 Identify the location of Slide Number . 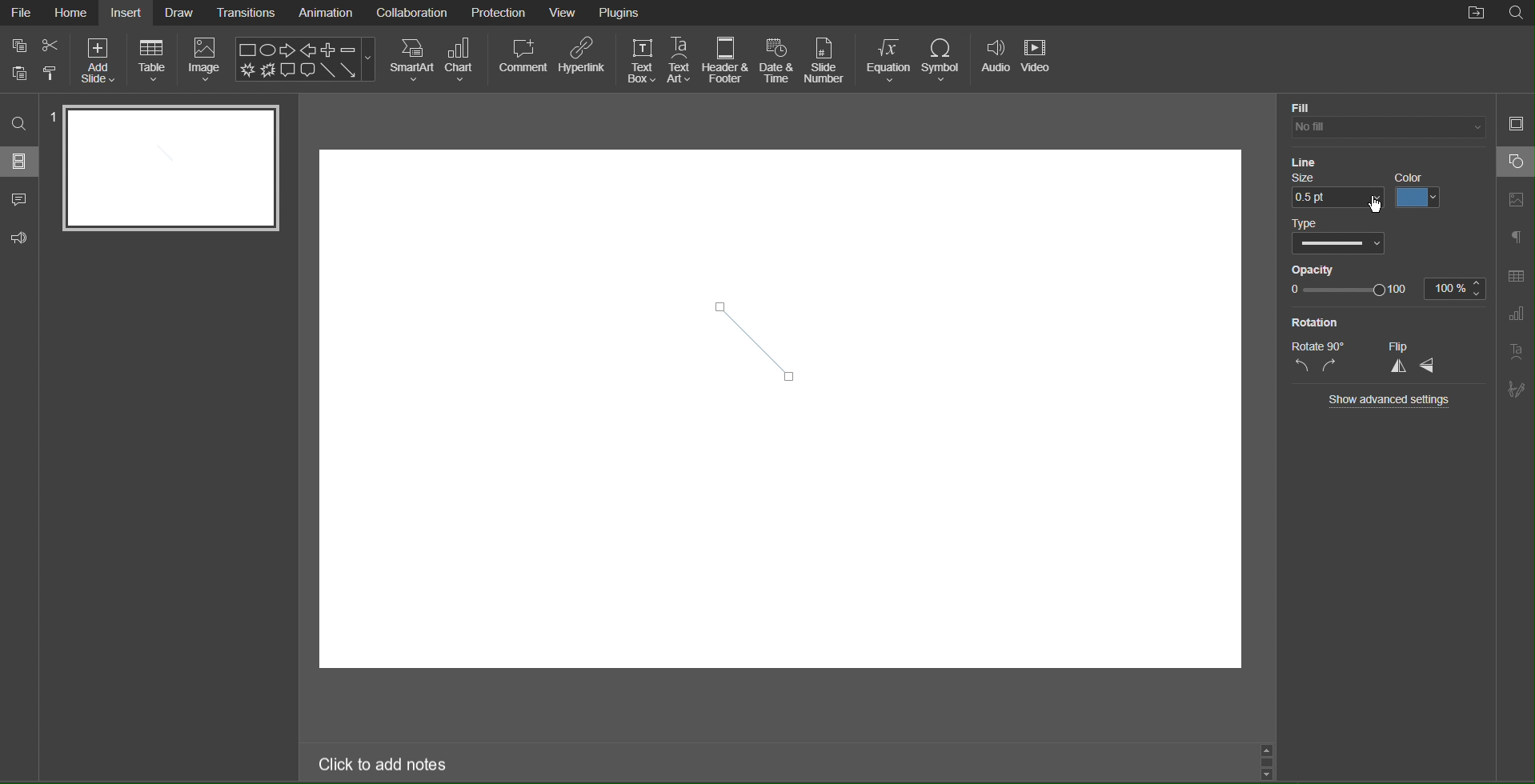
(826, 59).